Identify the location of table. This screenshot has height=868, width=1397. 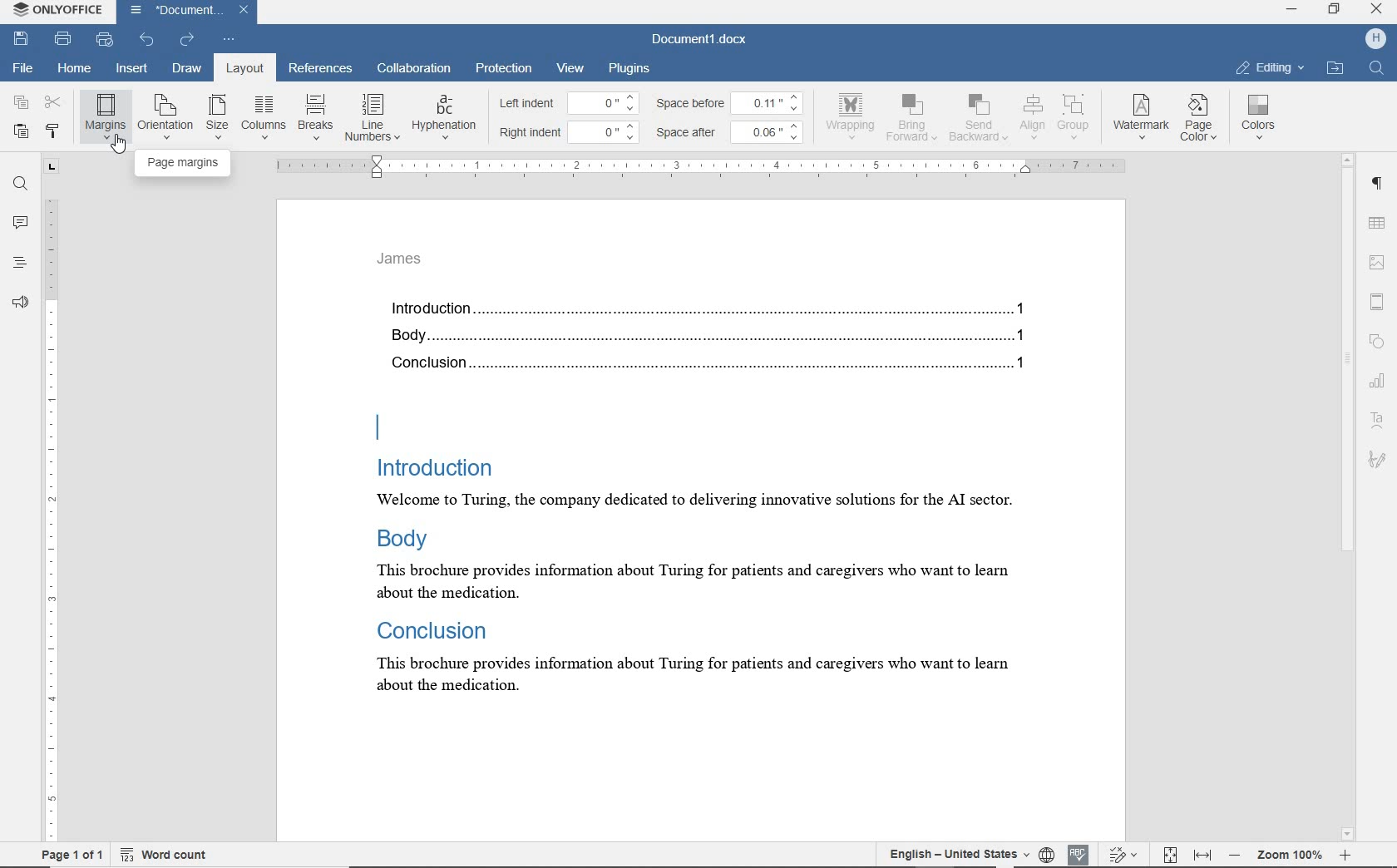
(1380, 224).